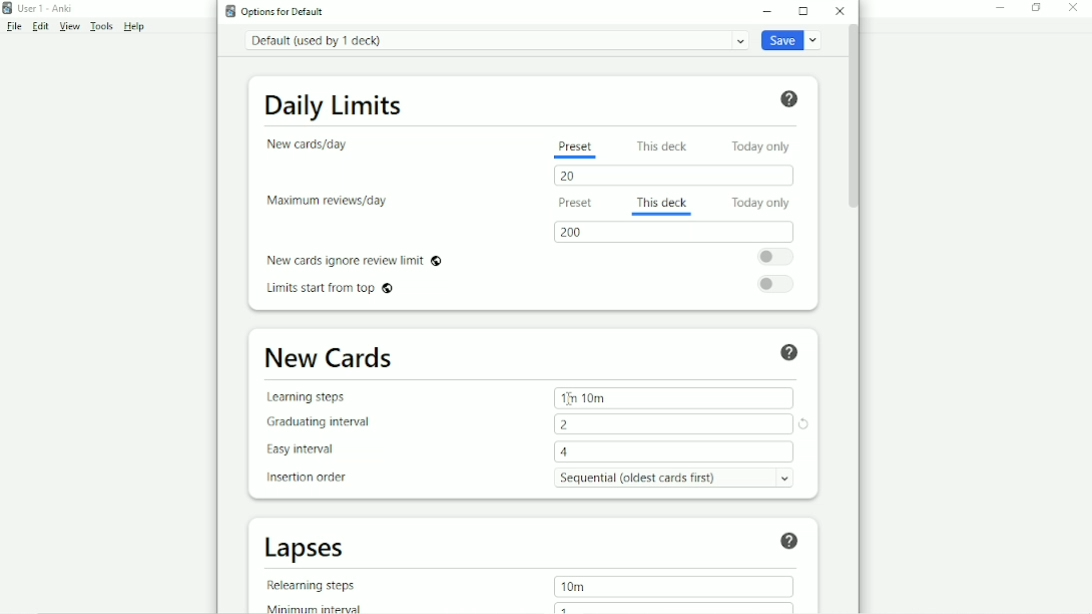 The image size is (1092, 614). What do you see at coordinates (1076, 8) in the screenshot?
I see `Close` at bounding box center [1076, 8].